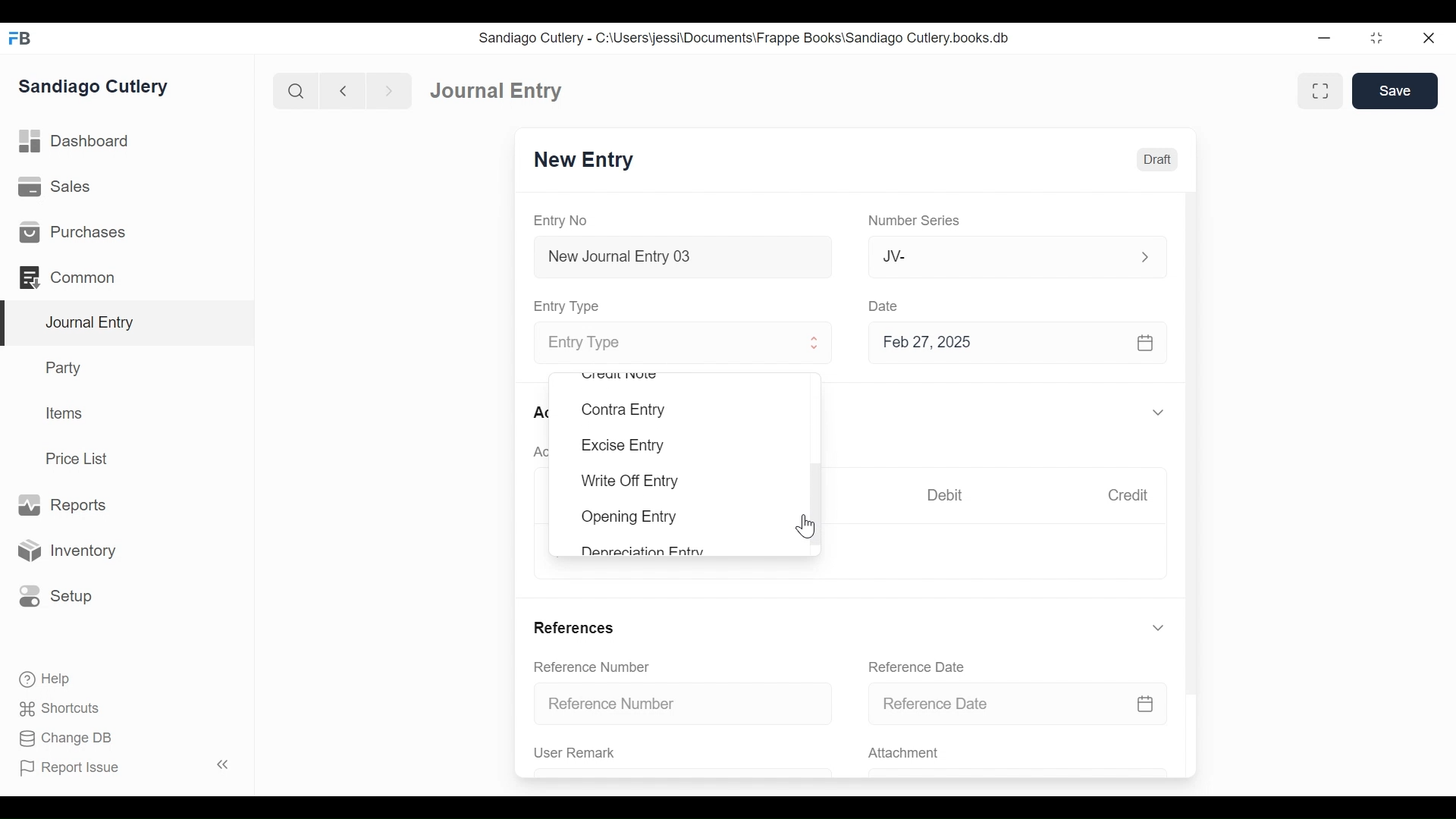 This screenshot has height=819, width=1456. What do you see at coordinates (886, 306) in the screenshot?
I see `Date` at bounding box center [886, 306].